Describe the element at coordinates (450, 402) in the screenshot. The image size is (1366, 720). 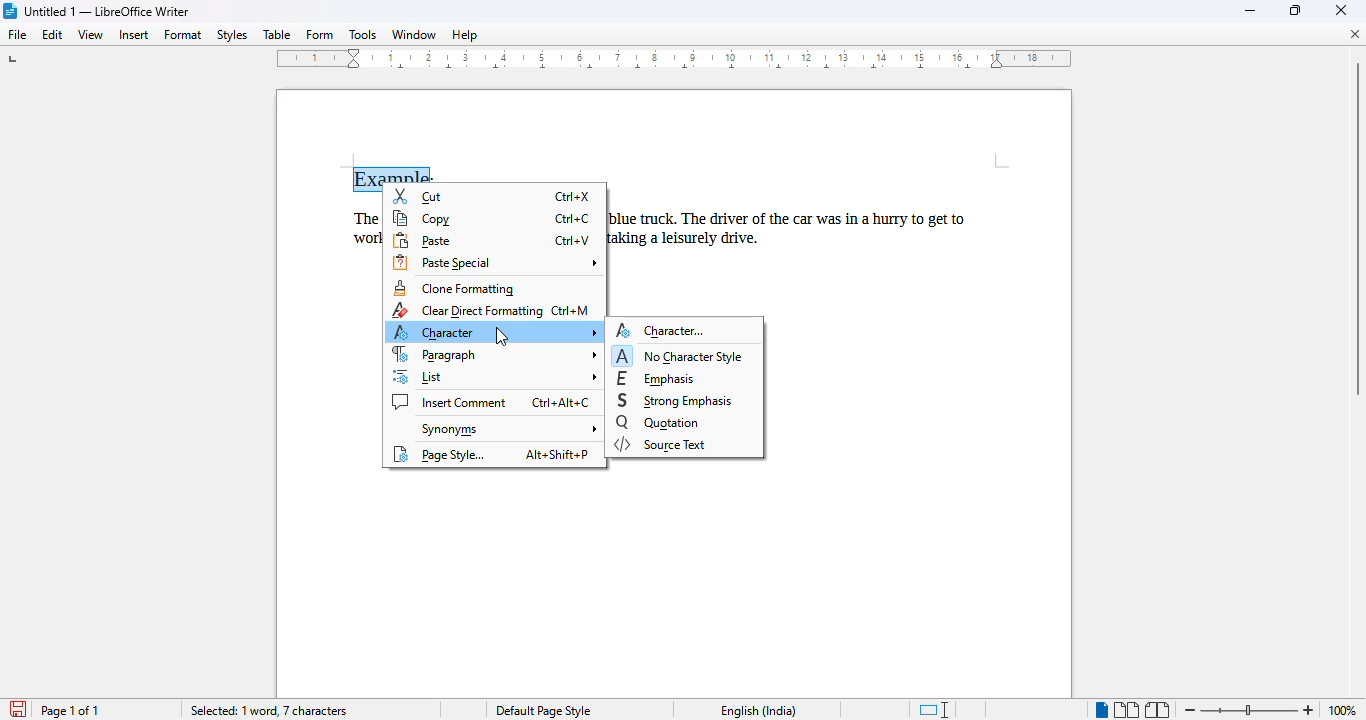
I see `insert comment` at that location.